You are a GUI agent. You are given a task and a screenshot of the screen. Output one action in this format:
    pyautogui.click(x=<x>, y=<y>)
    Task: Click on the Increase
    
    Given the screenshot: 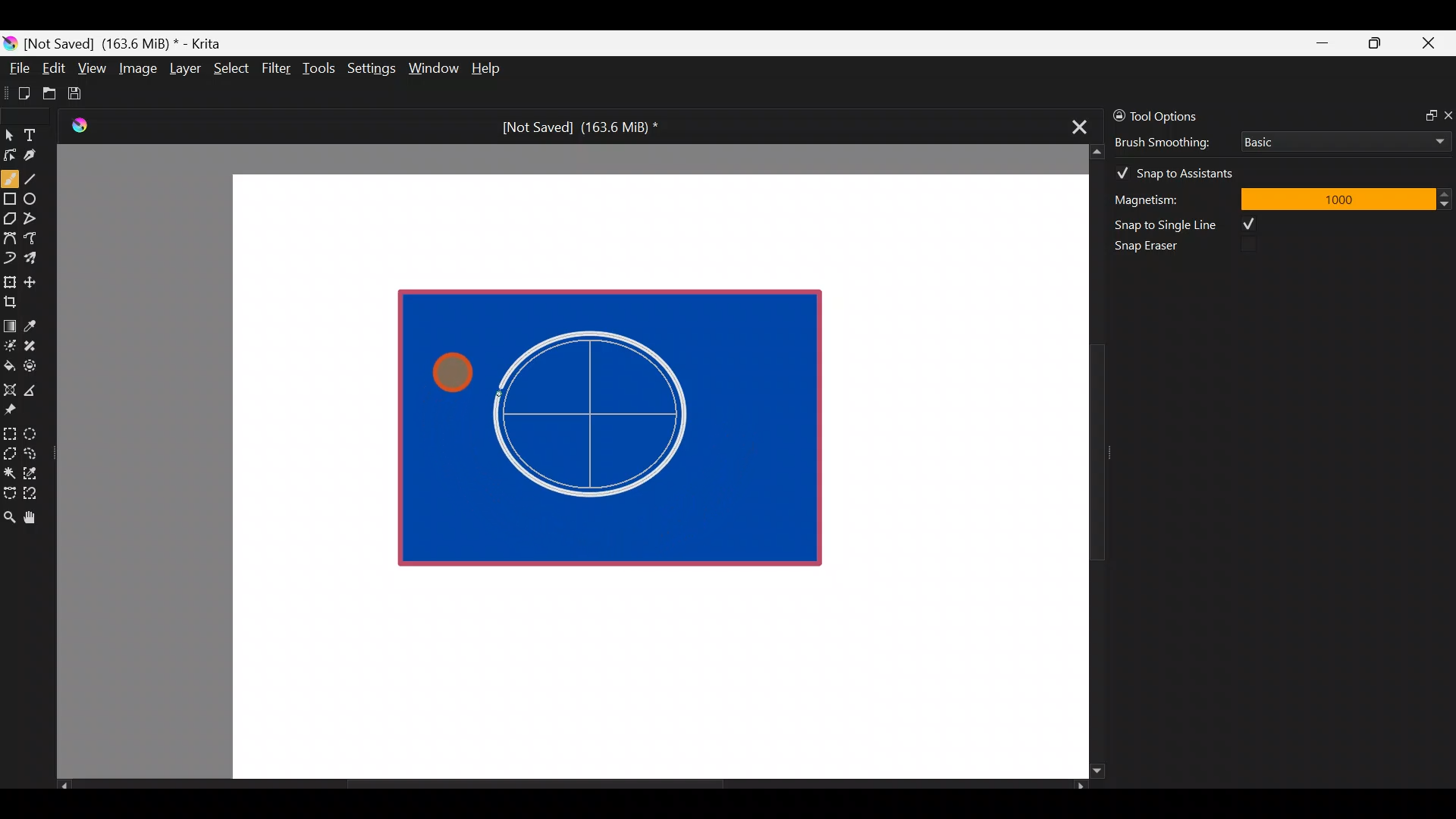 What is the action you would take?
    pyautogui.click(x=1447, y=193)
    